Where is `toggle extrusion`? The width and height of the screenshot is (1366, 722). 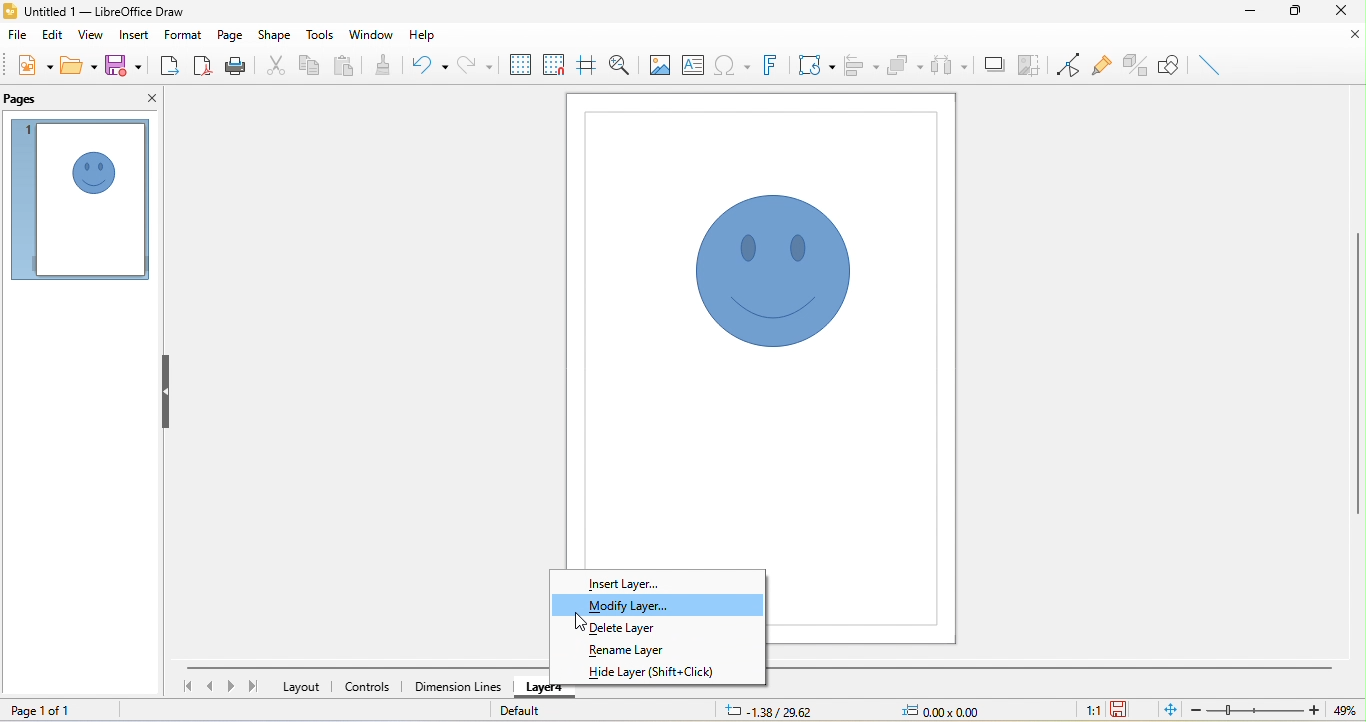
toggle extrusion is located at coordinates (1135, 65).